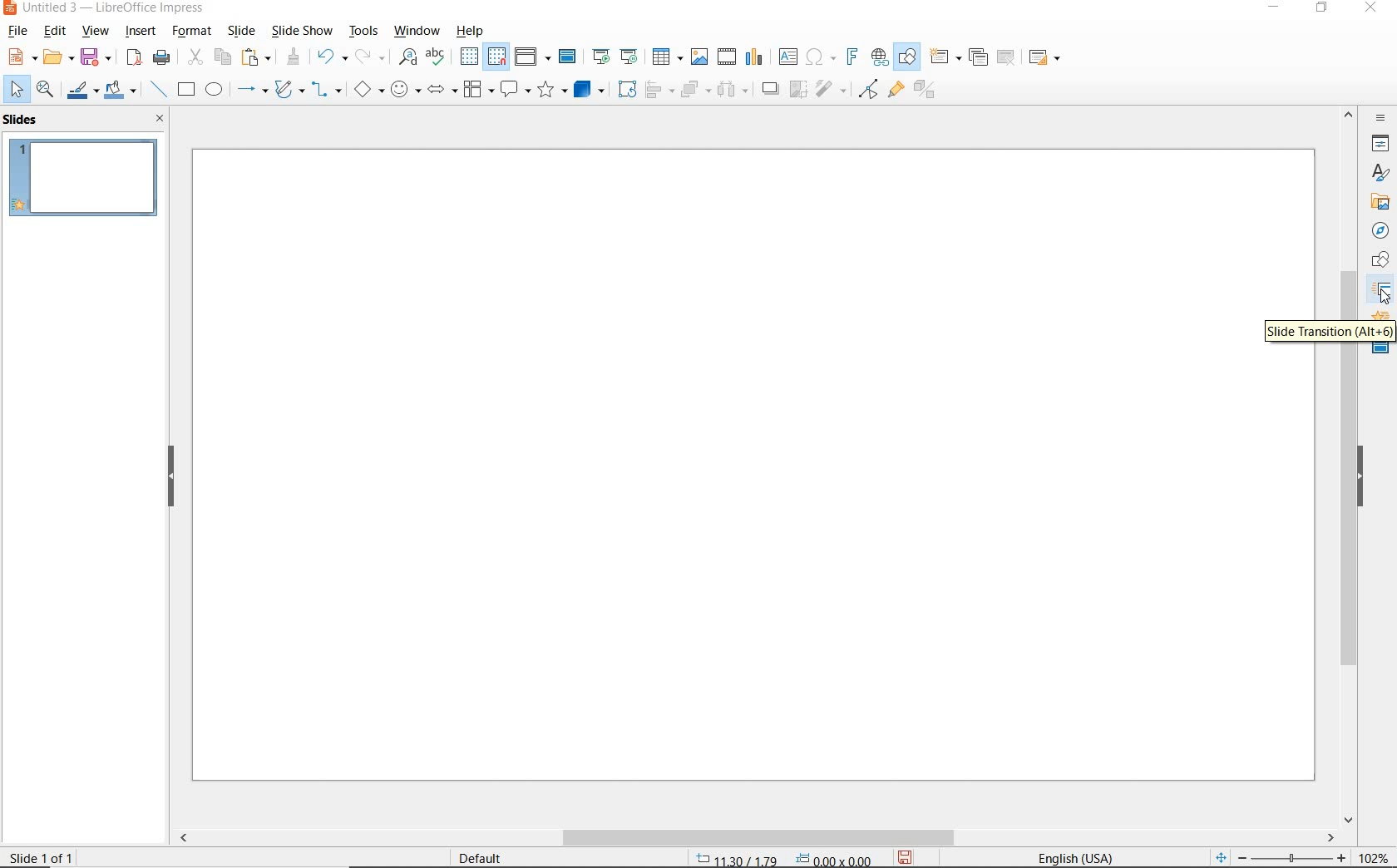  What do you see at coordinates (469, 57) in the screenshot?
I see `DISPLAY GRID` at bounding box center [469, 57].